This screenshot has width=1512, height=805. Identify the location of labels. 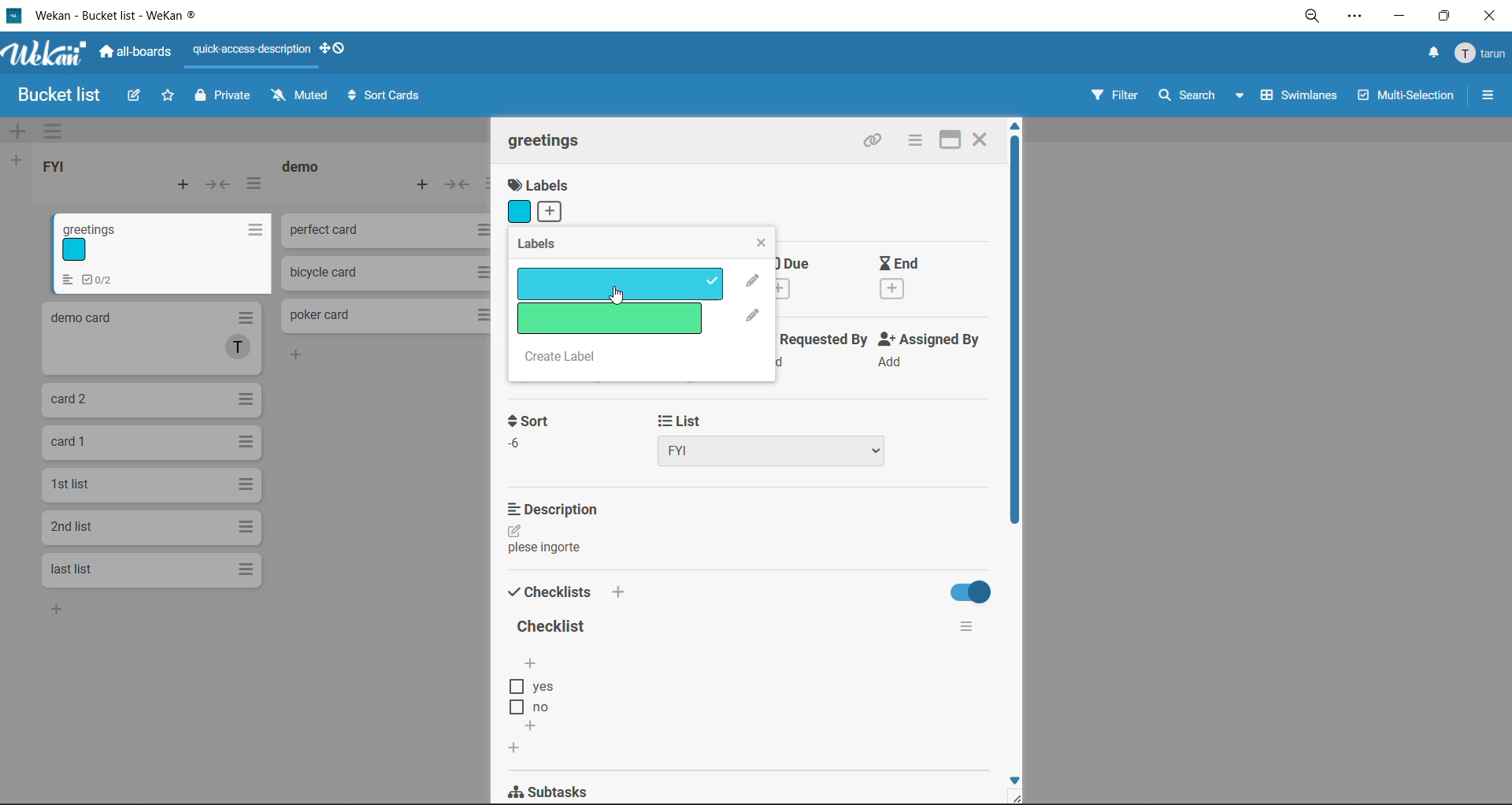
(541, 184).